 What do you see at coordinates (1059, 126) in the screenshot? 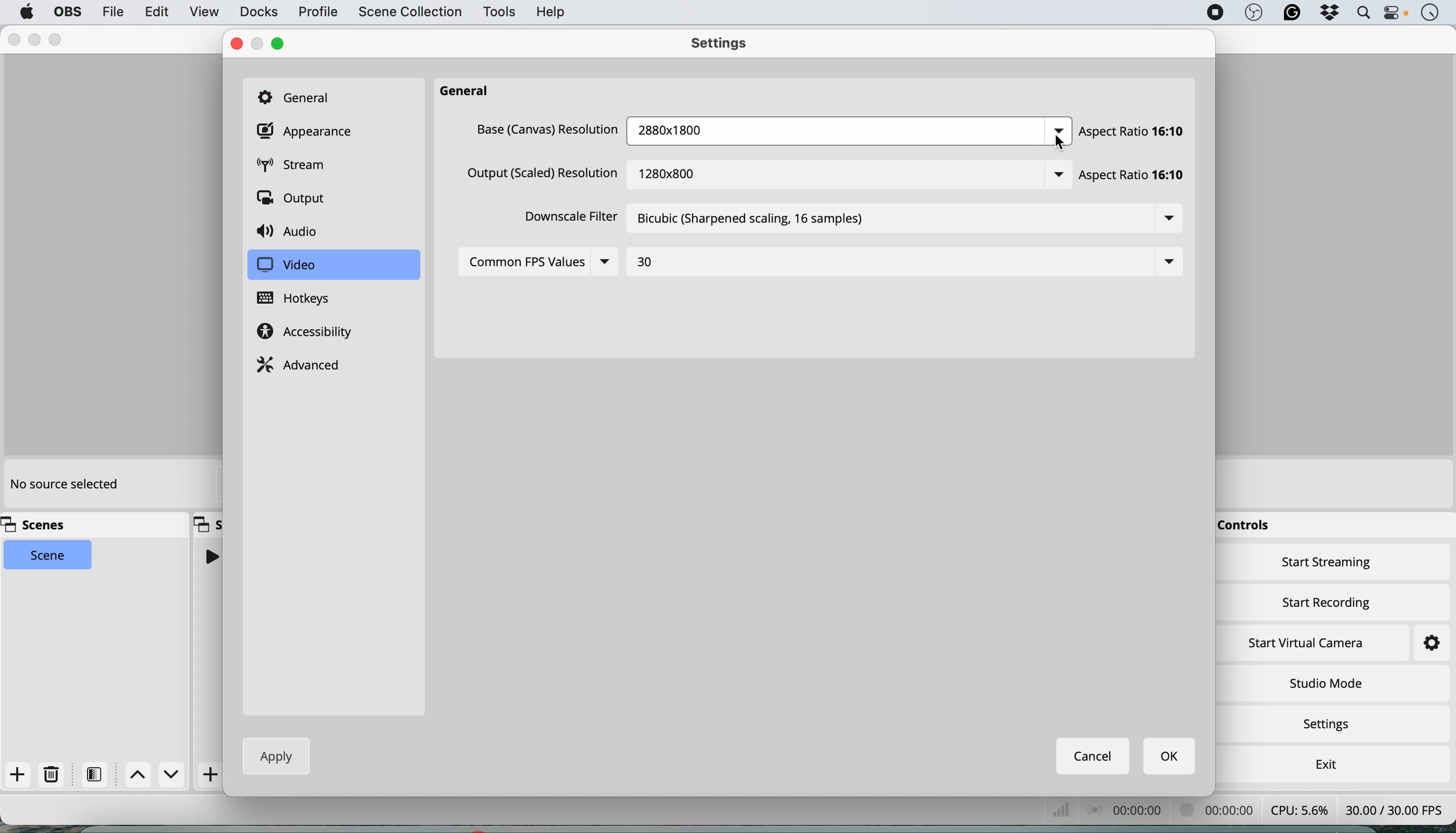
I see `` at bounding box center [1059, 126].